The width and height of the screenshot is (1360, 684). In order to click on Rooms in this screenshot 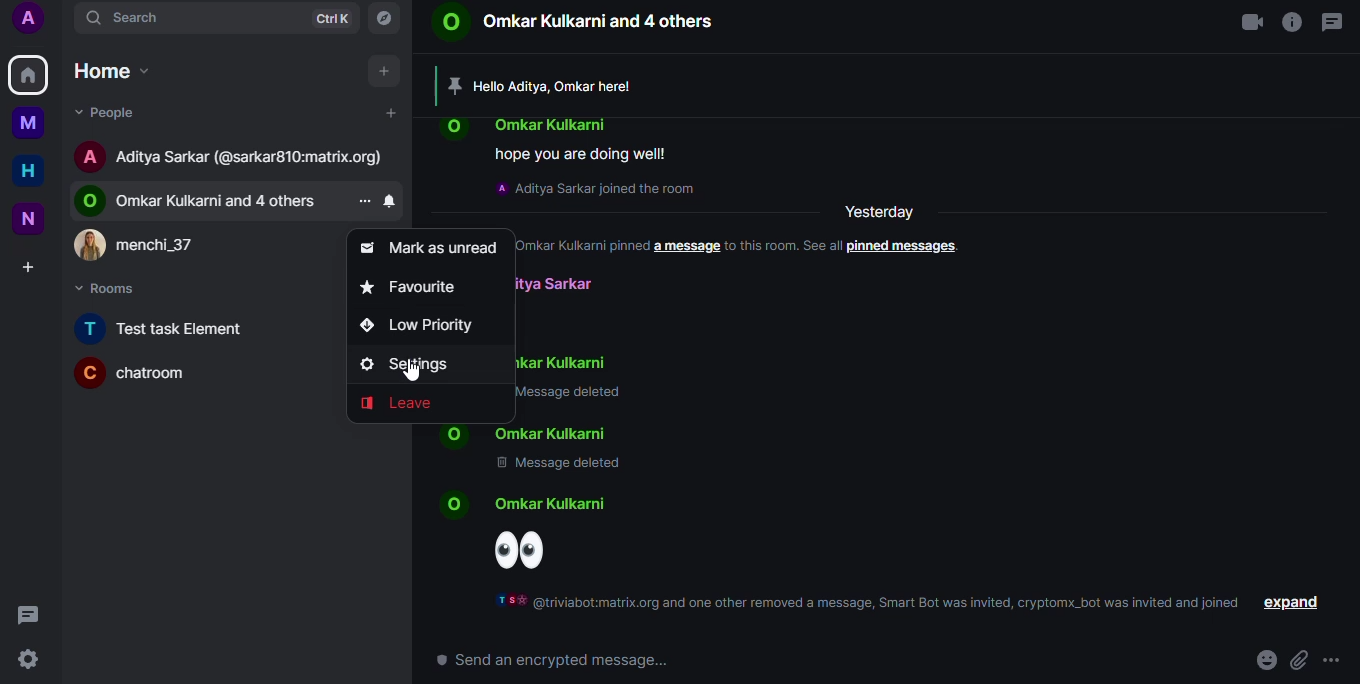, I will do `click(115, 288)`.